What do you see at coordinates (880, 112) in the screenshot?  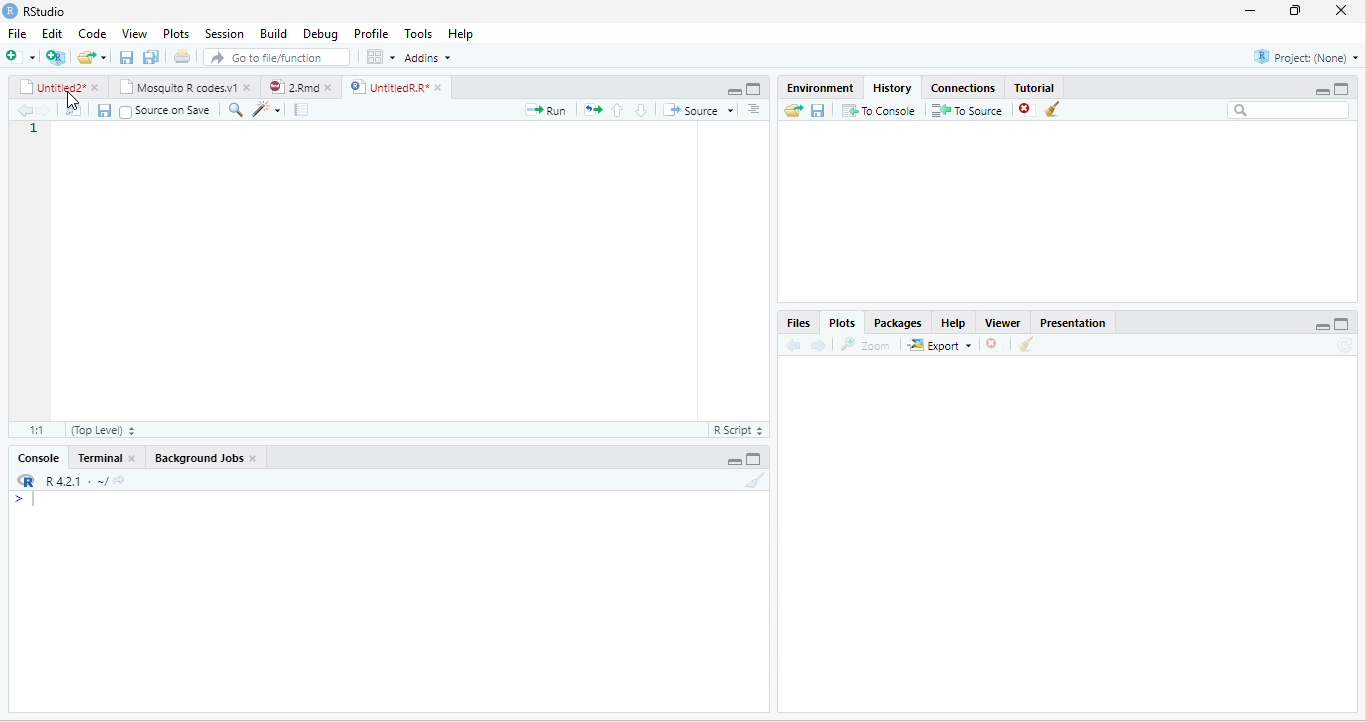 I see `to console` at bounding box center [880, 112].